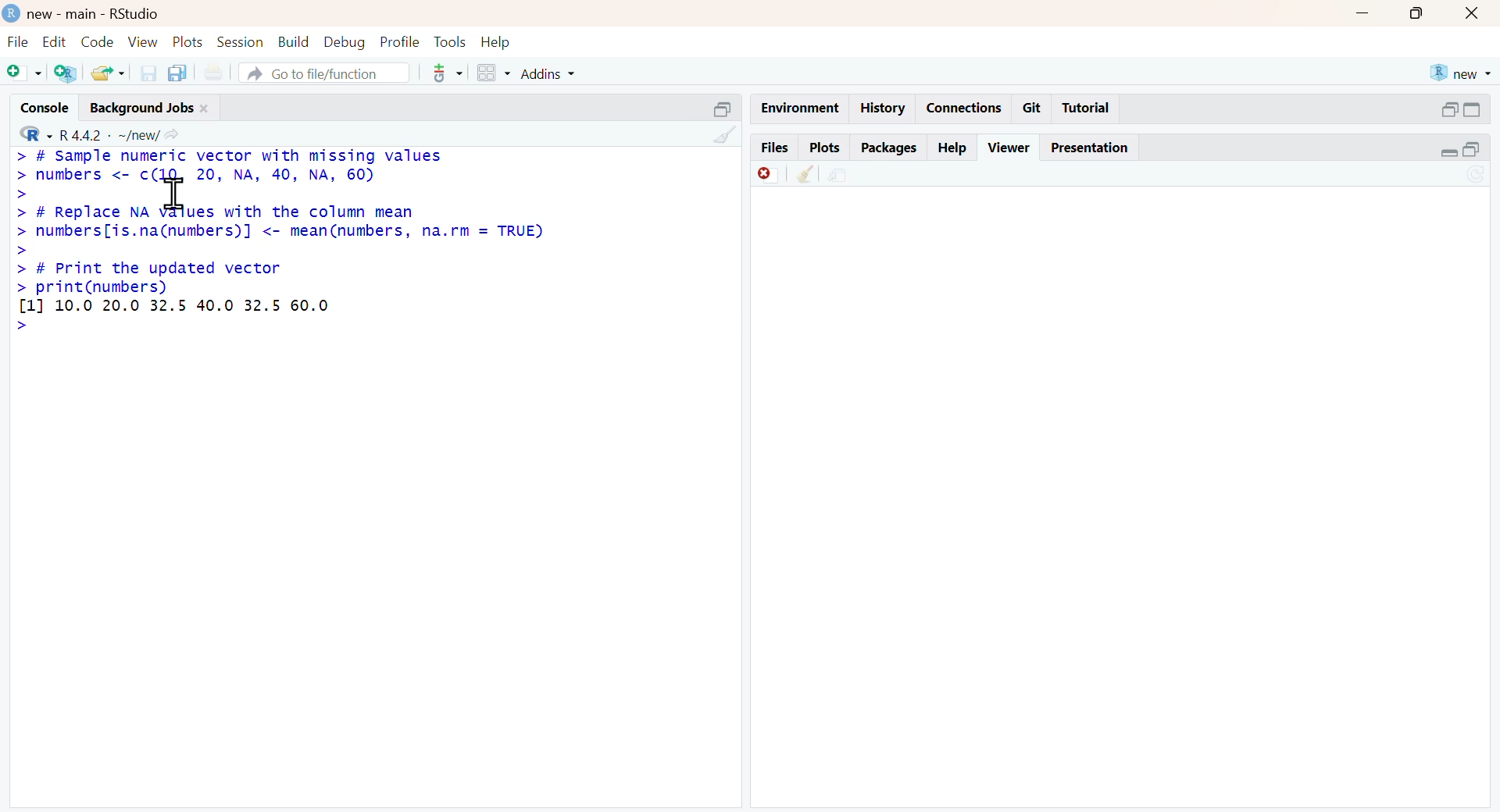 The height and width of the screenshot is (812, 1500). I want to click on viewer, so click(1009, 148).